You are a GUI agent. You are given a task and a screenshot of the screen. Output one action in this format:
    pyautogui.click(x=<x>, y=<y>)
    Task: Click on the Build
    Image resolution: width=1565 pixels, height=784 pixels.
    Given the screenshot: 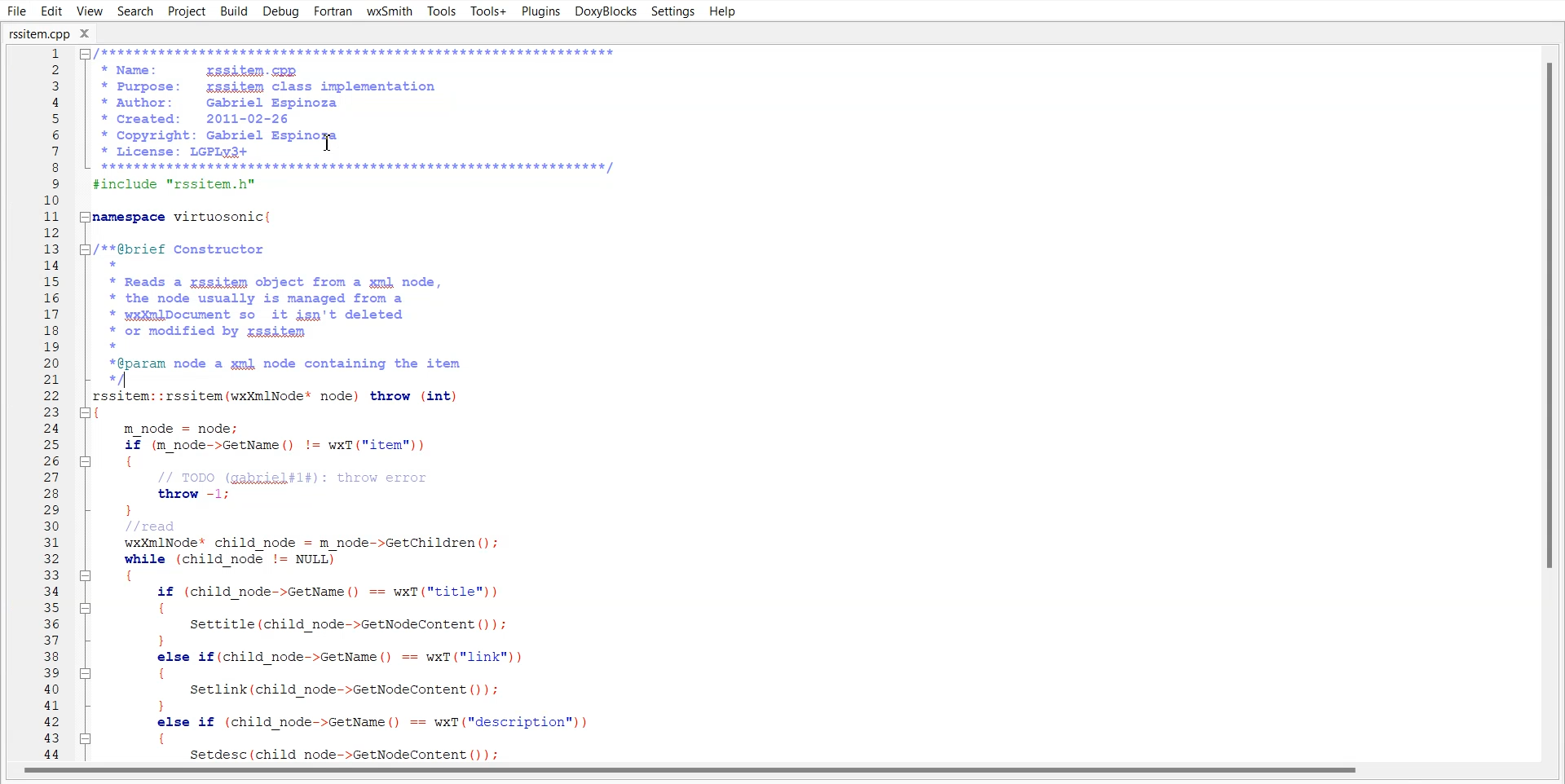 What is the action you would take?
    pyautogui.click(x=234, y=11)
    